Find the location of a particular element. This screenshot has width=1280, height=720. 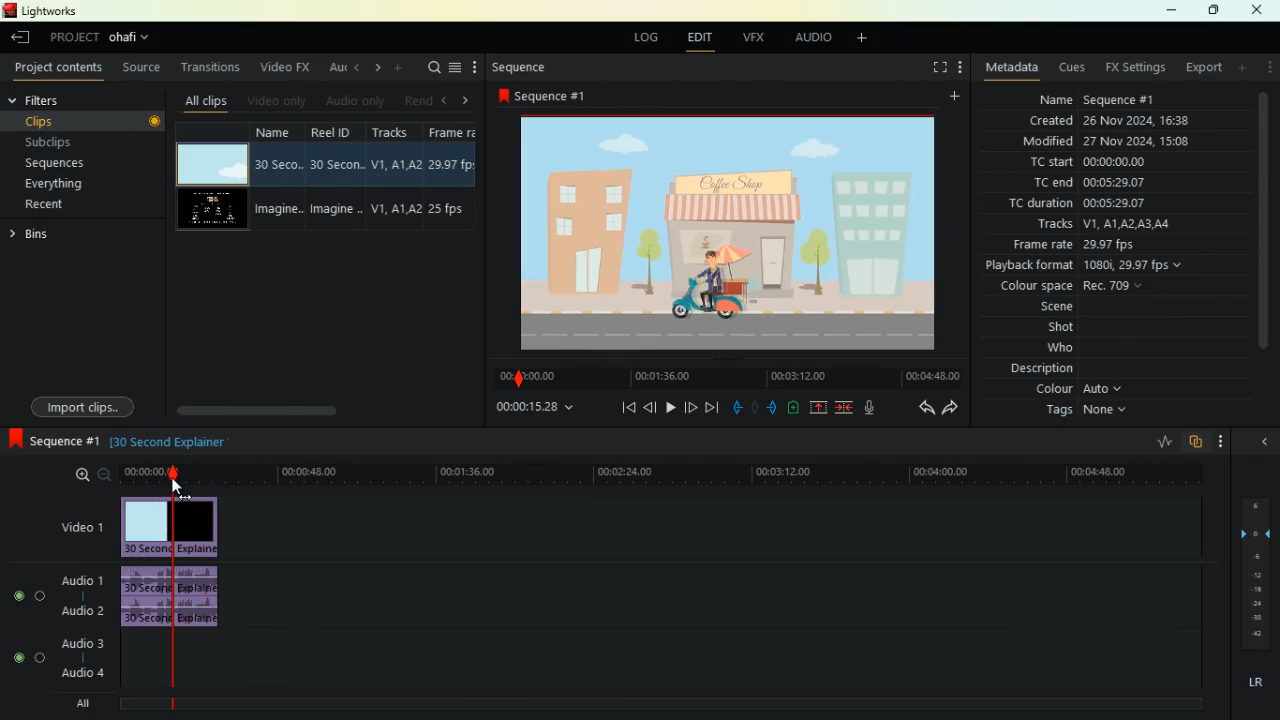

project  is located at coordinates (101, 39).